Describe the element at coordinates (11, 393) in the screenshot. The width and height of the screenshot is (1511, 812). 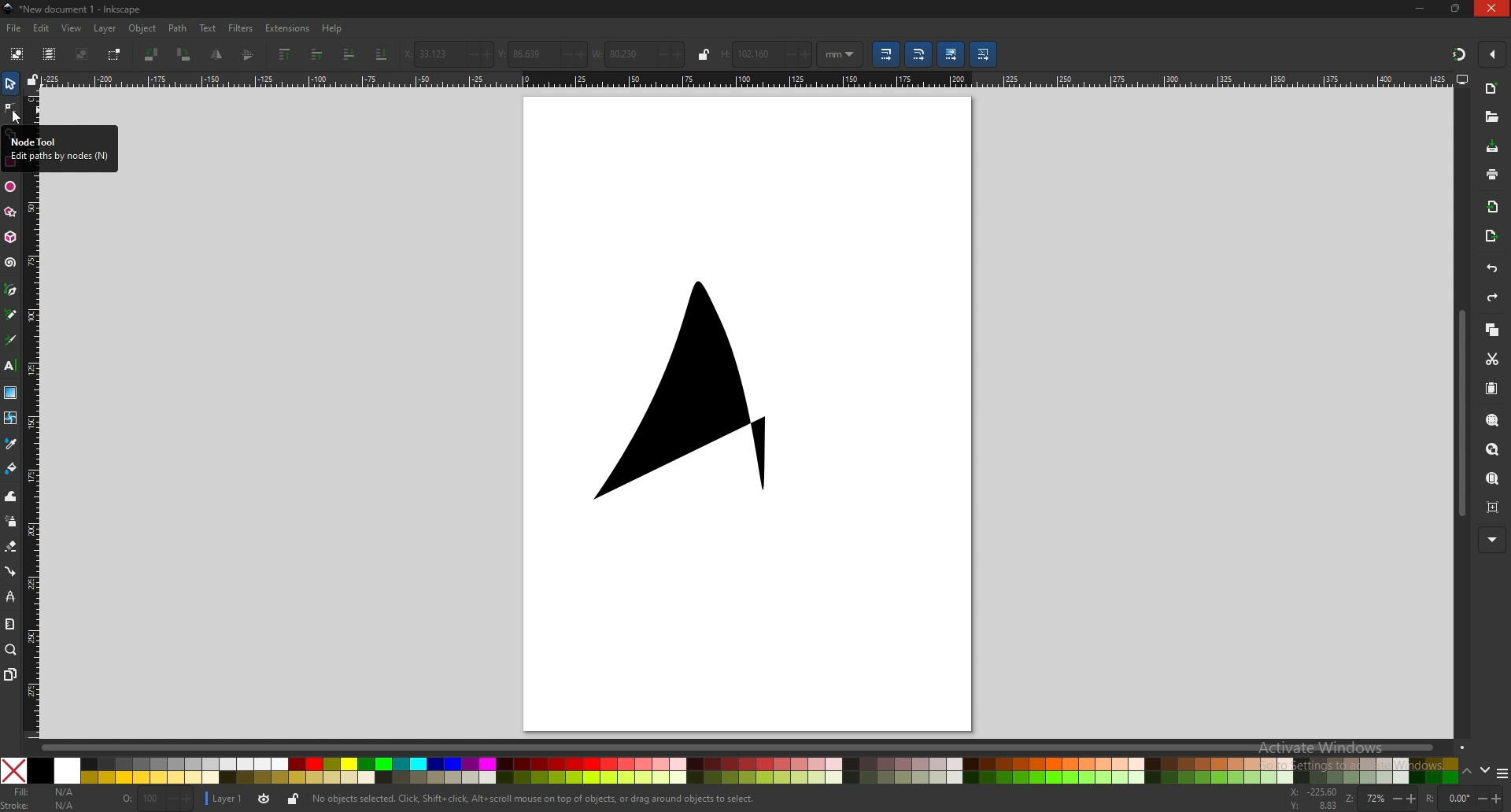
I see `gradient` at that location.